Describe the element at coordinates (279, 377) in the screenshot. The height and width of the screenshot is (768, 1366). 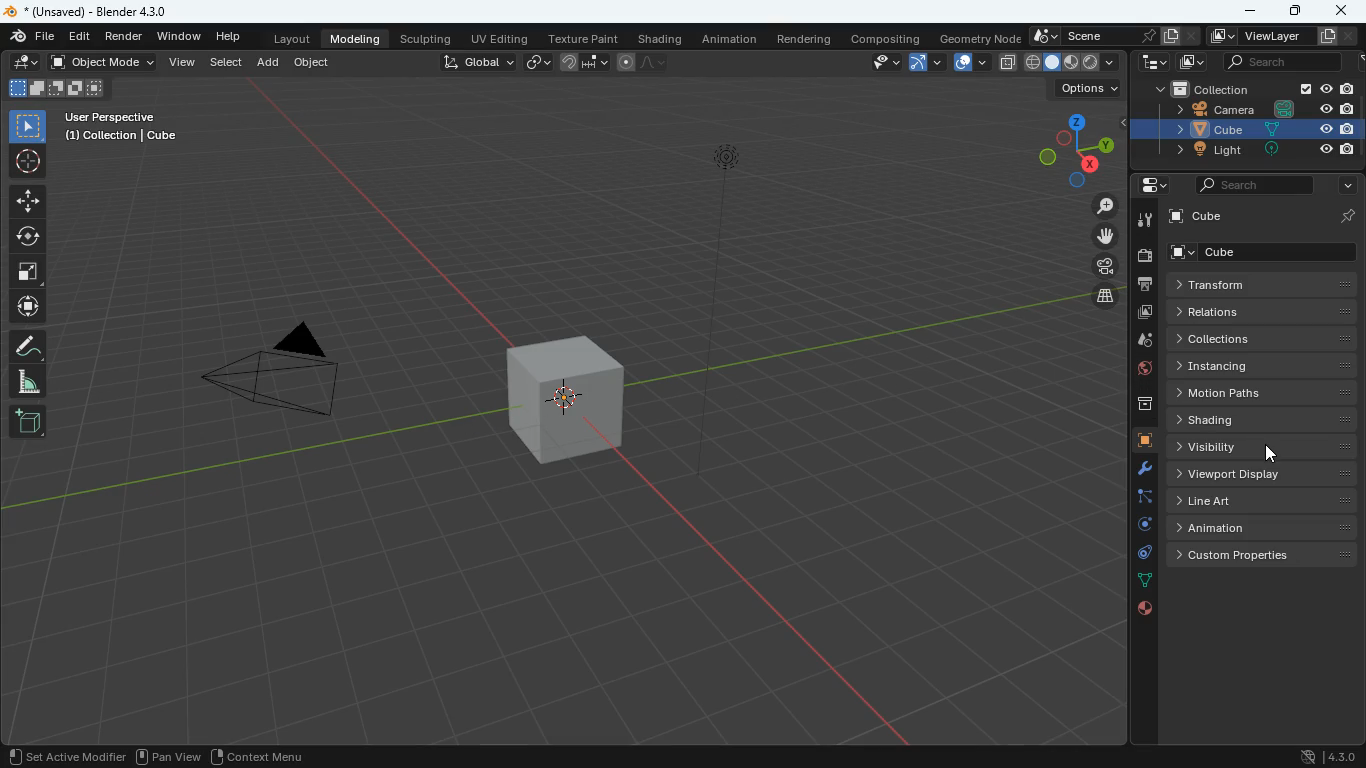
I see `camera` at that location.